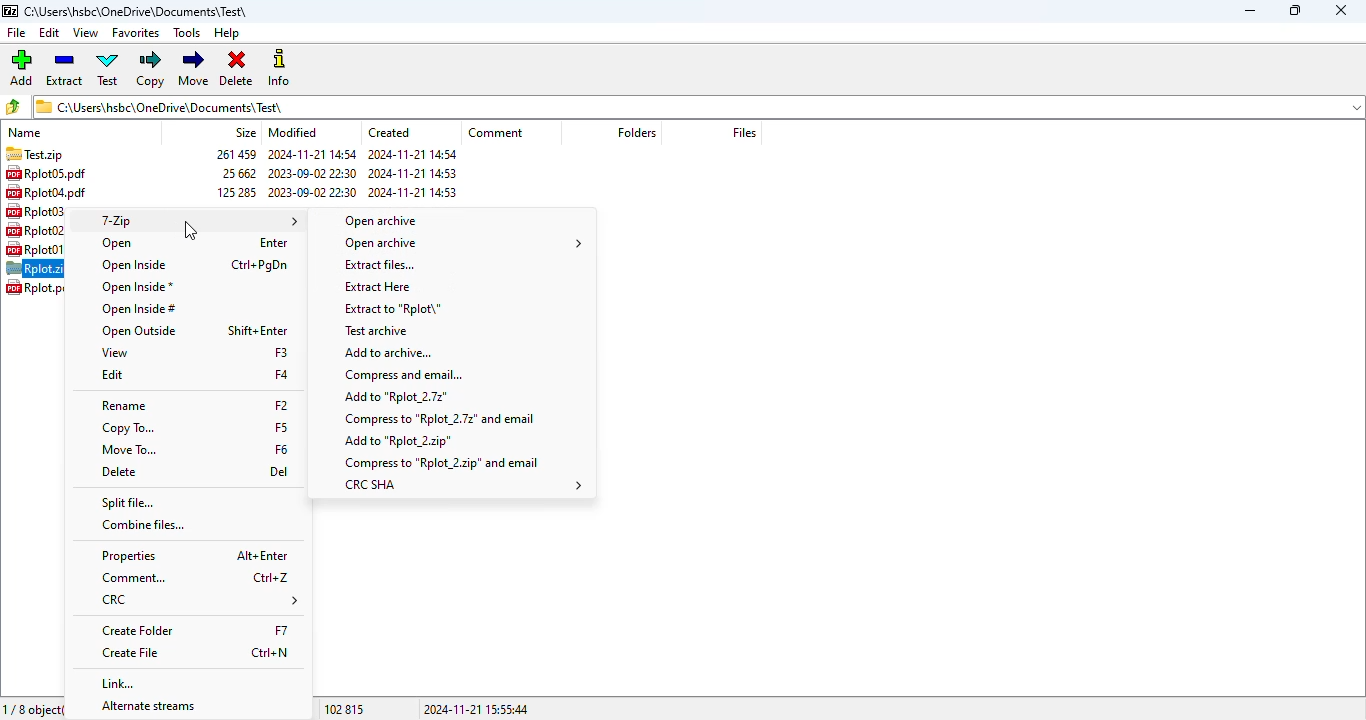 The width and height of the screenshot is (1366, 720). Describe the element at coordinates (441, 462) in the screenshot. I see `compress to Rplot_2.zip and email` at that location.